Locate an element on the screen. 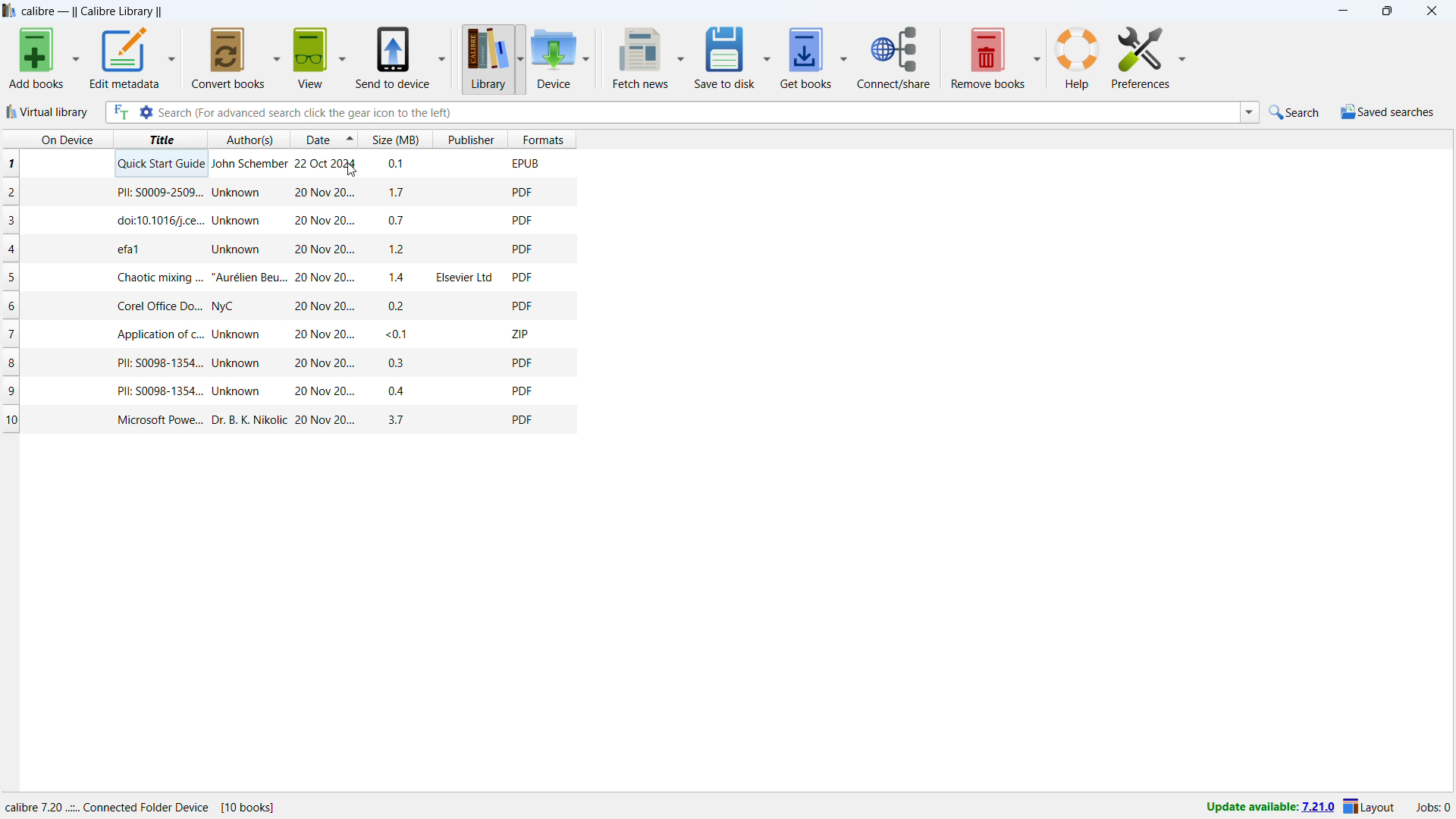 This screenshot has width=1456, height=819. one book entry is located at coordinates (281, 193).